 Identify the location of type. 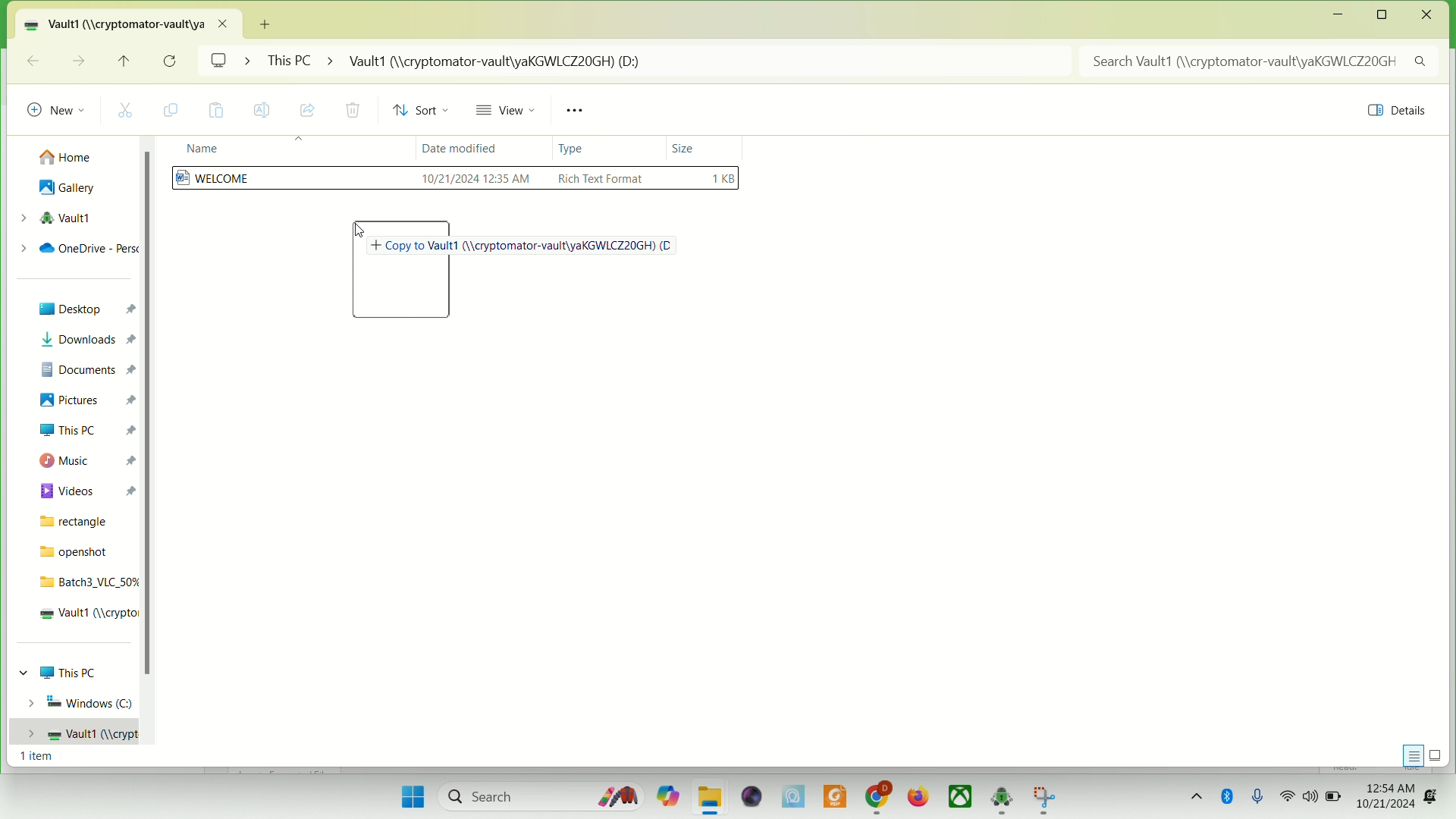
(568, 145).